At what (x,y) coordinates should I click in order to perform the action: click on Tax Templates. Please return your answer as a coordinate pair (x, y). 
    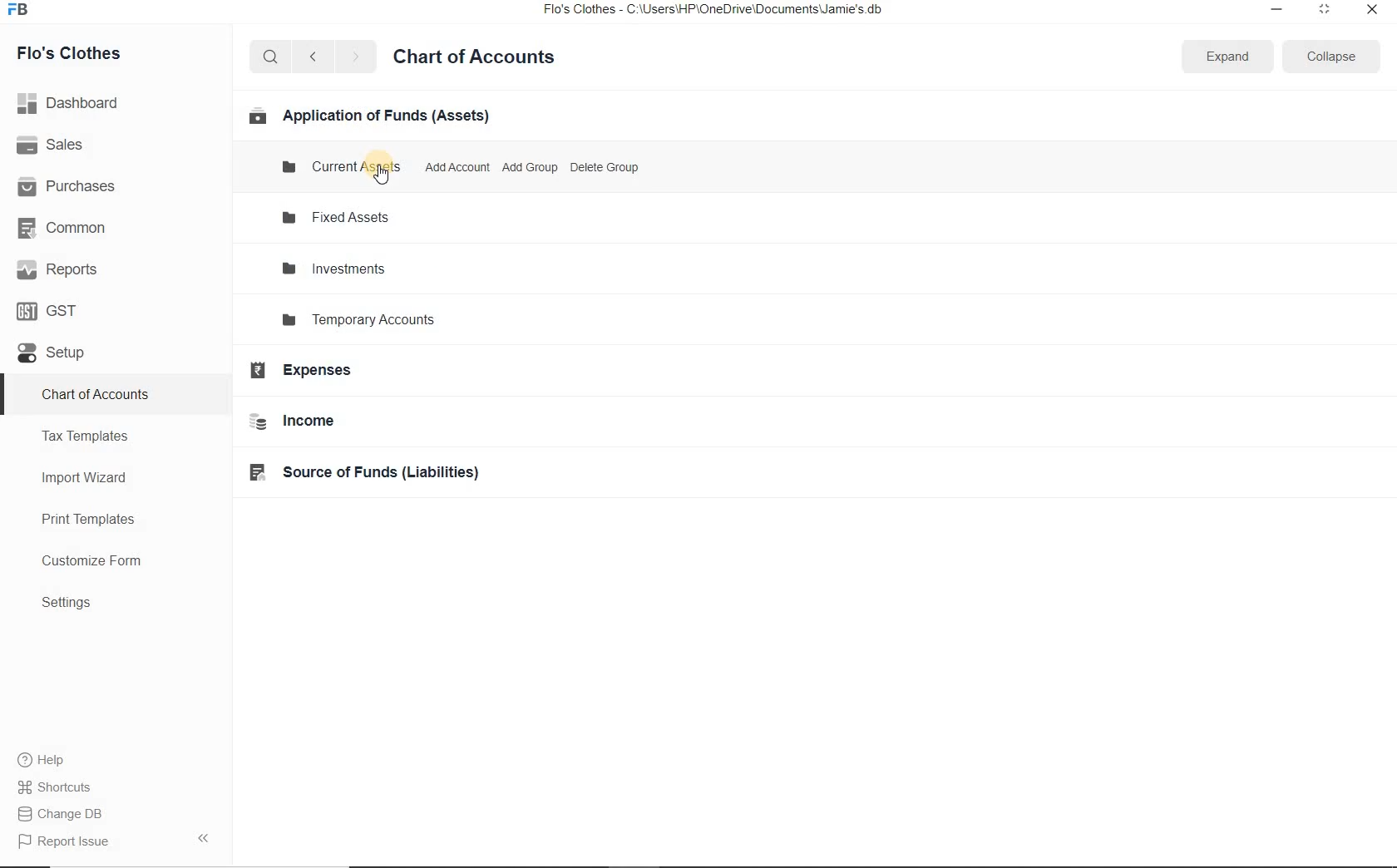
    Looking at the image, I should click on (104, 438).